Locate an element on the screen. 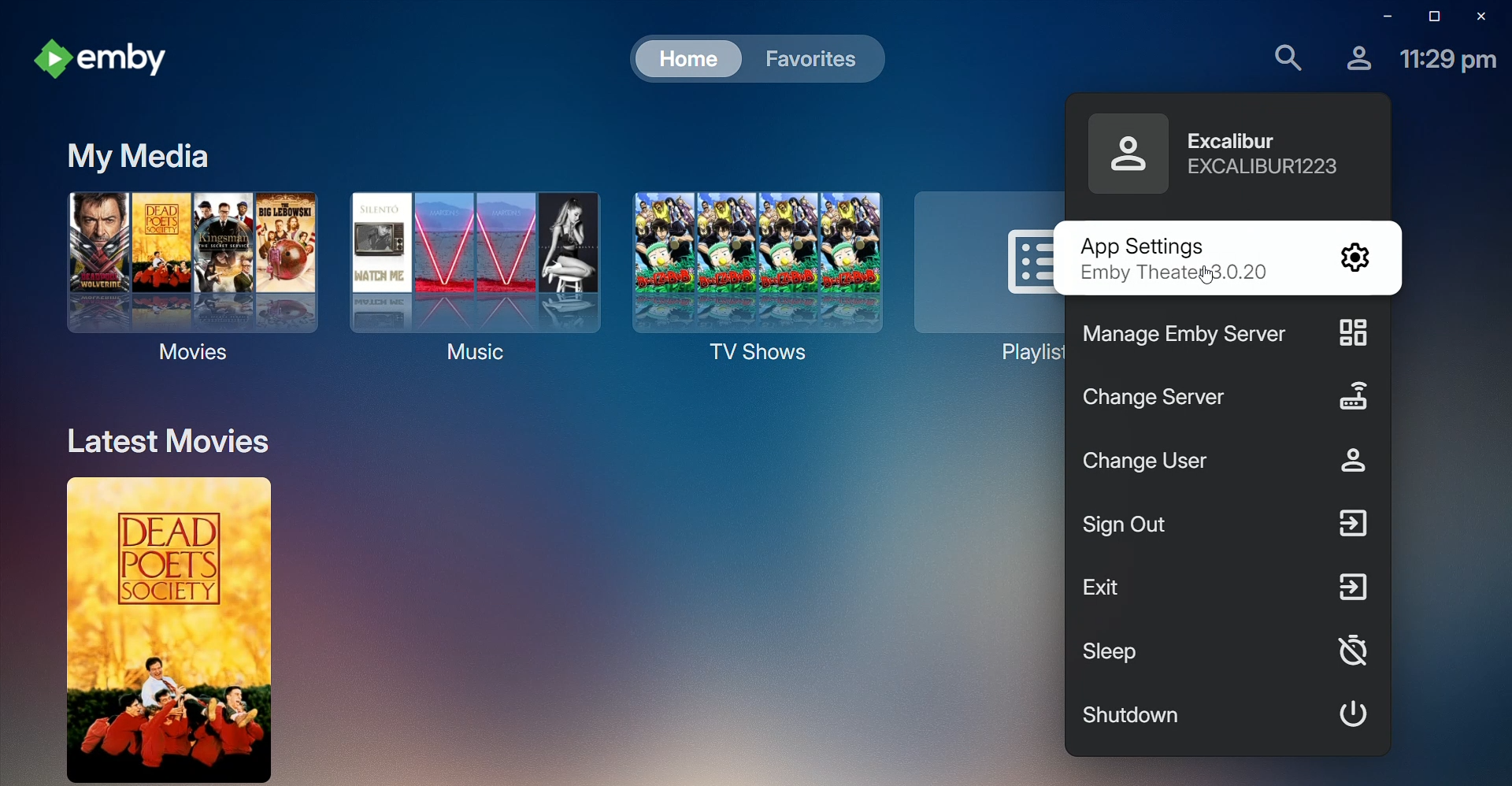 This screenshot has height=786, width=1512. Playlists is located at coordinates (973, 273).